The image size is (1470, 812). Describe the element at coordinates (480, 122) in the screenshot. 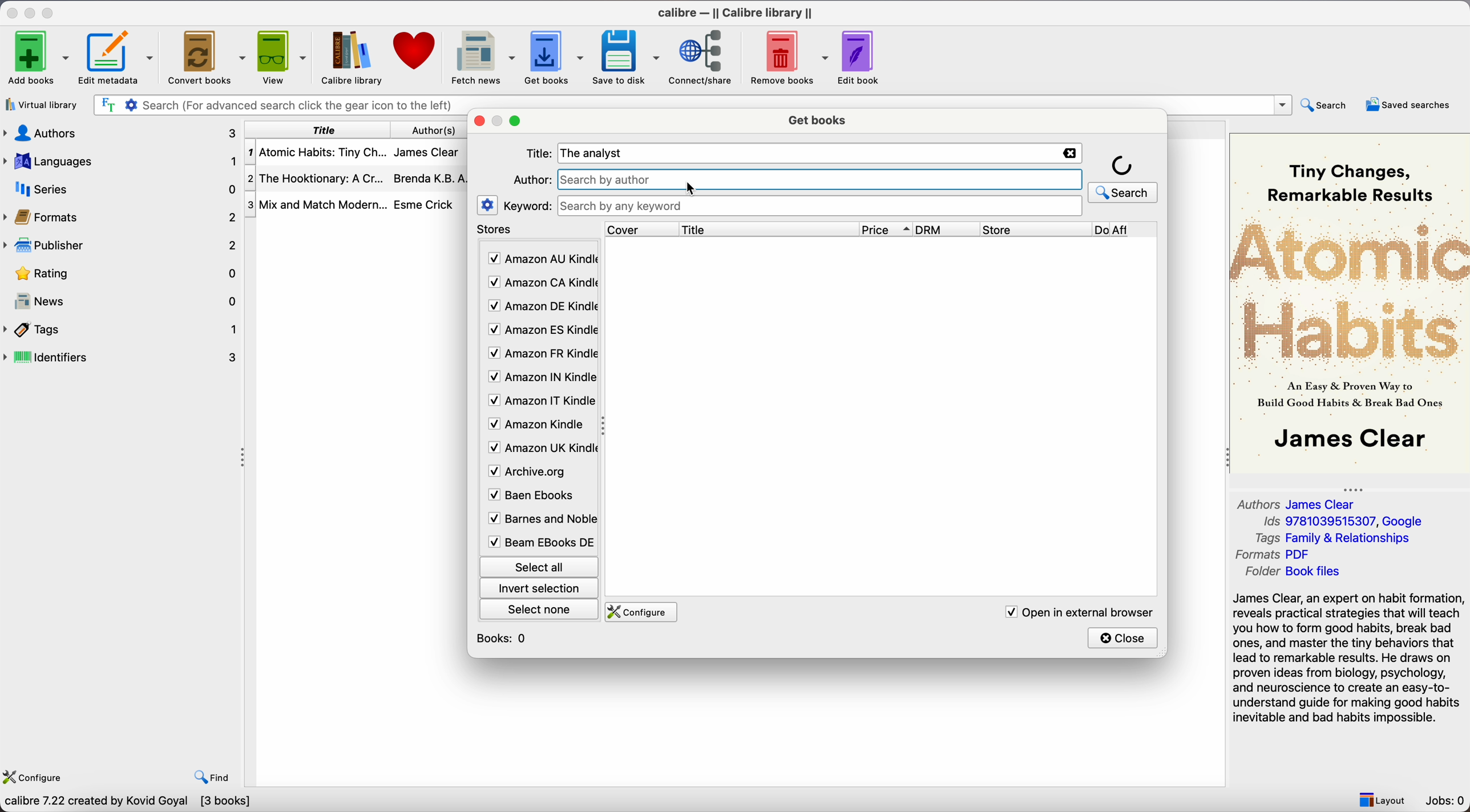

I see `close` at that location.